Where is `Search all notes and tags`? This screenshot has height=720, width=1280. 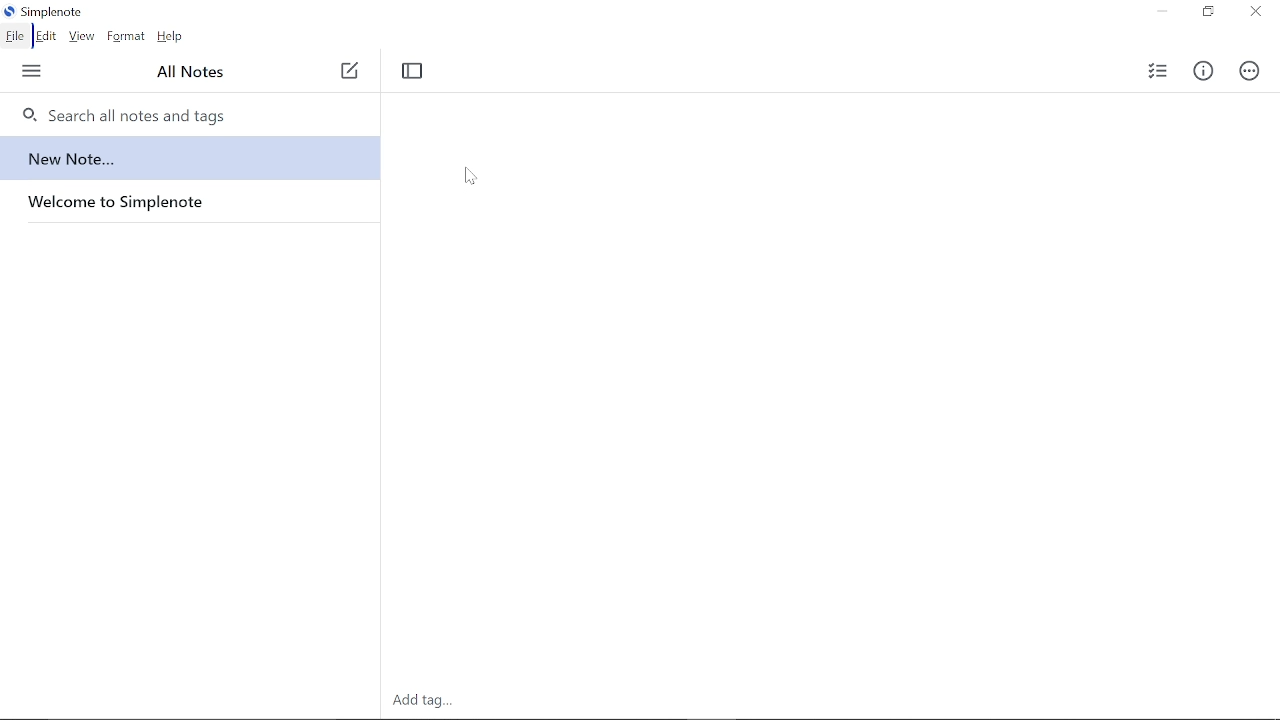 Search all notes and tags is located at coordinates (173, 114).